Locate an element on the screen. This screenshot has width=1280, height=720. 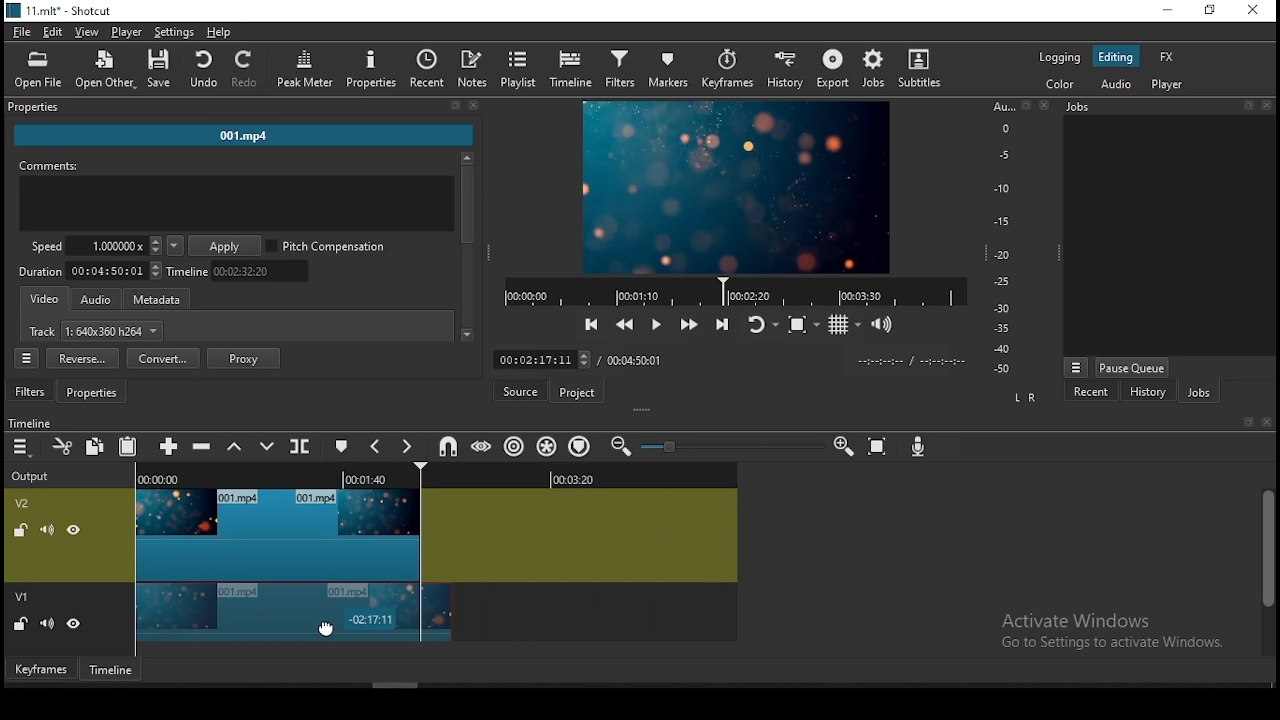
subtitles is located at coordinates (923, 69).